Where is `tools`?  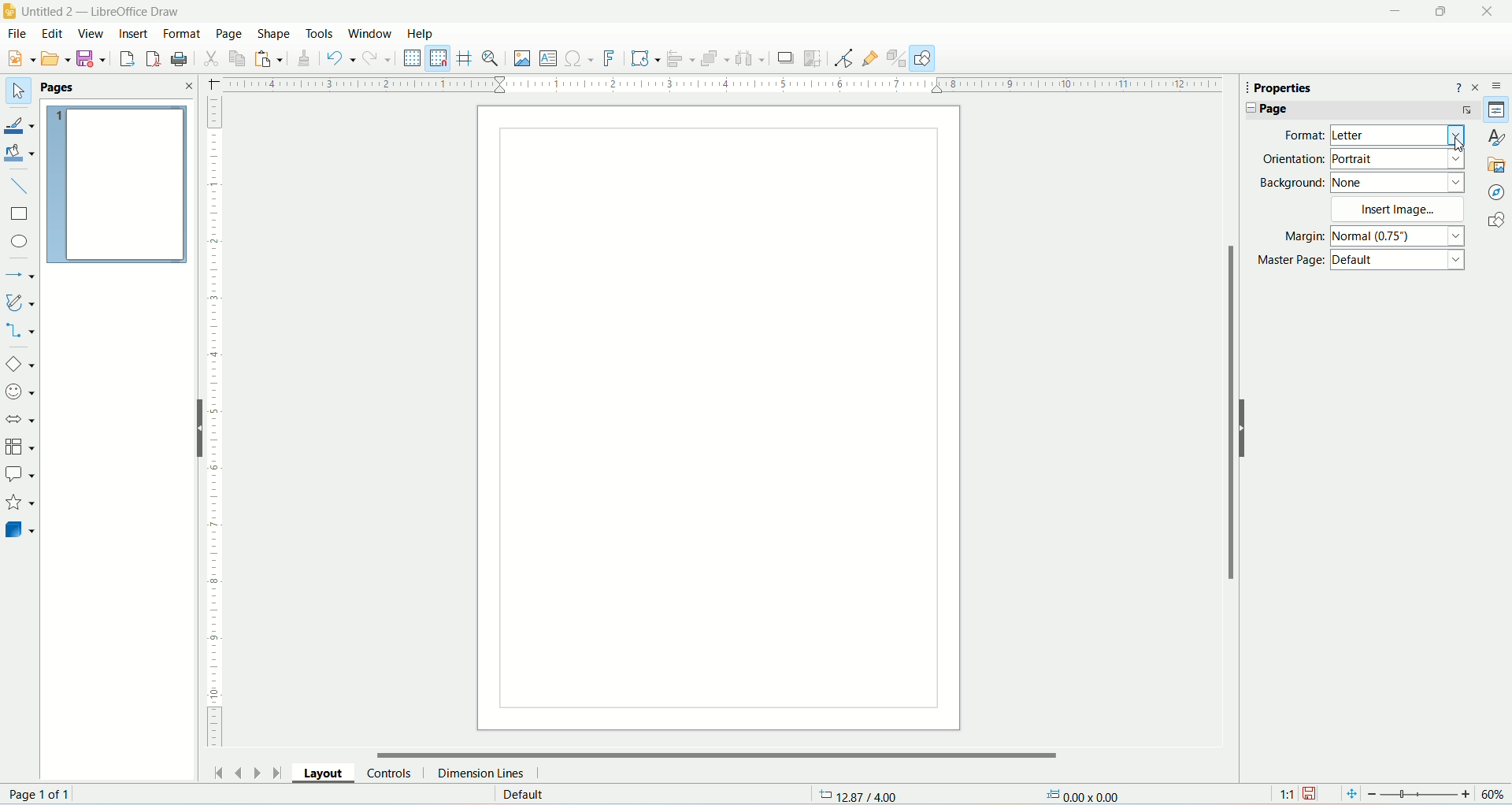
tools is located at coordinates (322, 35).